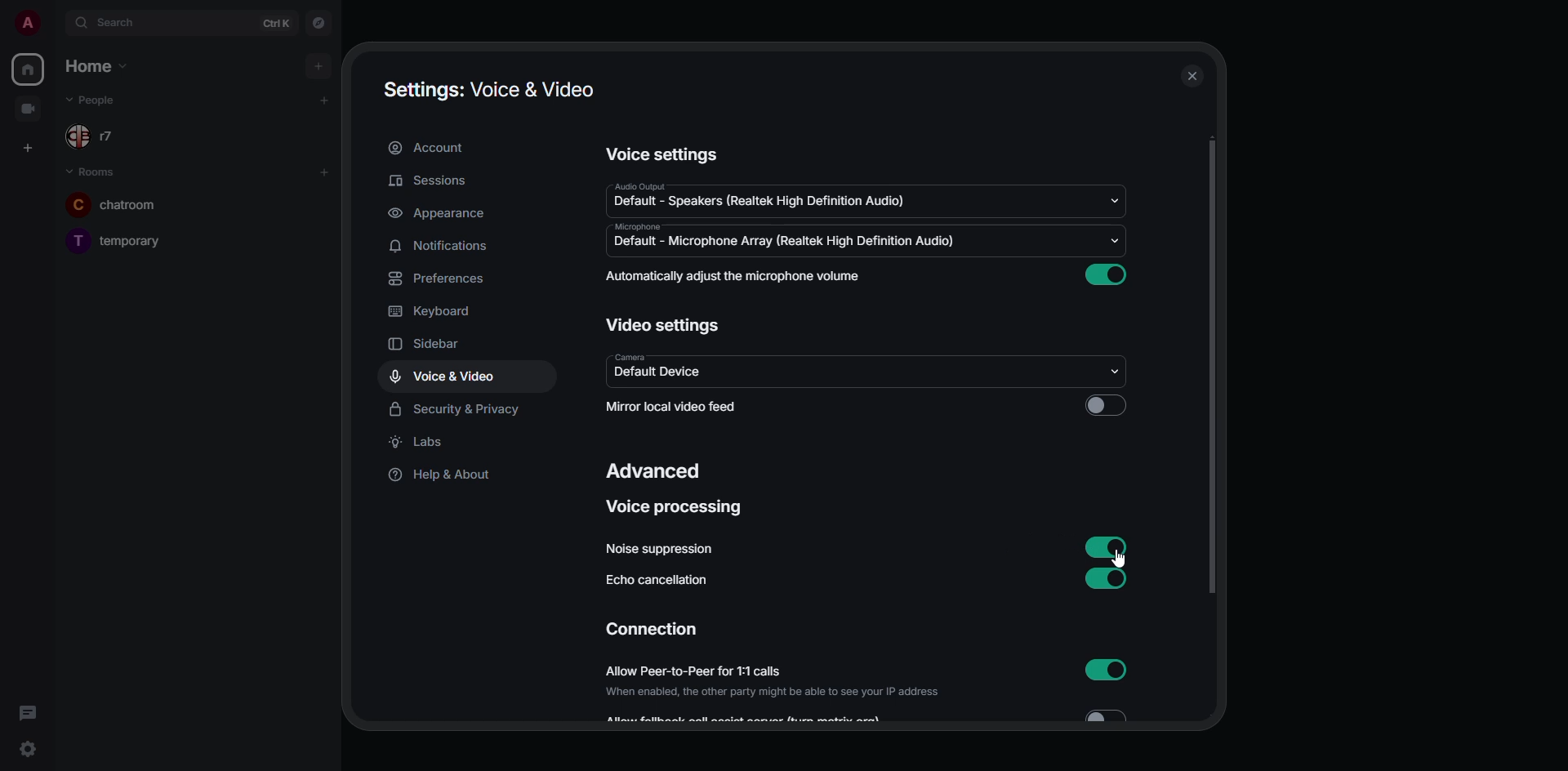 This screenshot has width=1568, height=771. Describe the element at coordinates (420, 442) in the screenshot. I see `labs` at that location.